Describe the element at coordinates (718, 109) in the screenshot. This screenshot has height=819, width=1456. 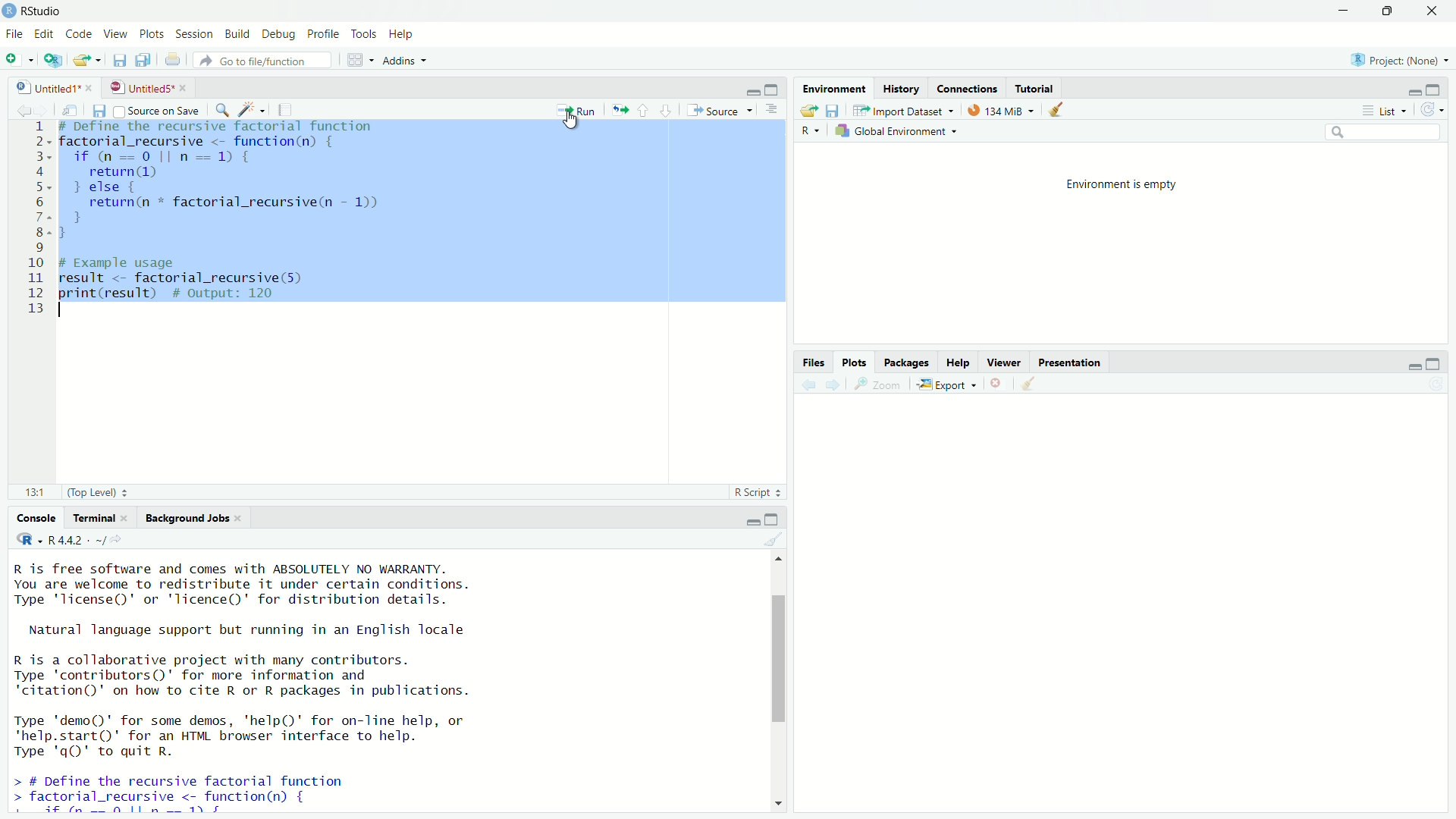
I see `Source` at that location.